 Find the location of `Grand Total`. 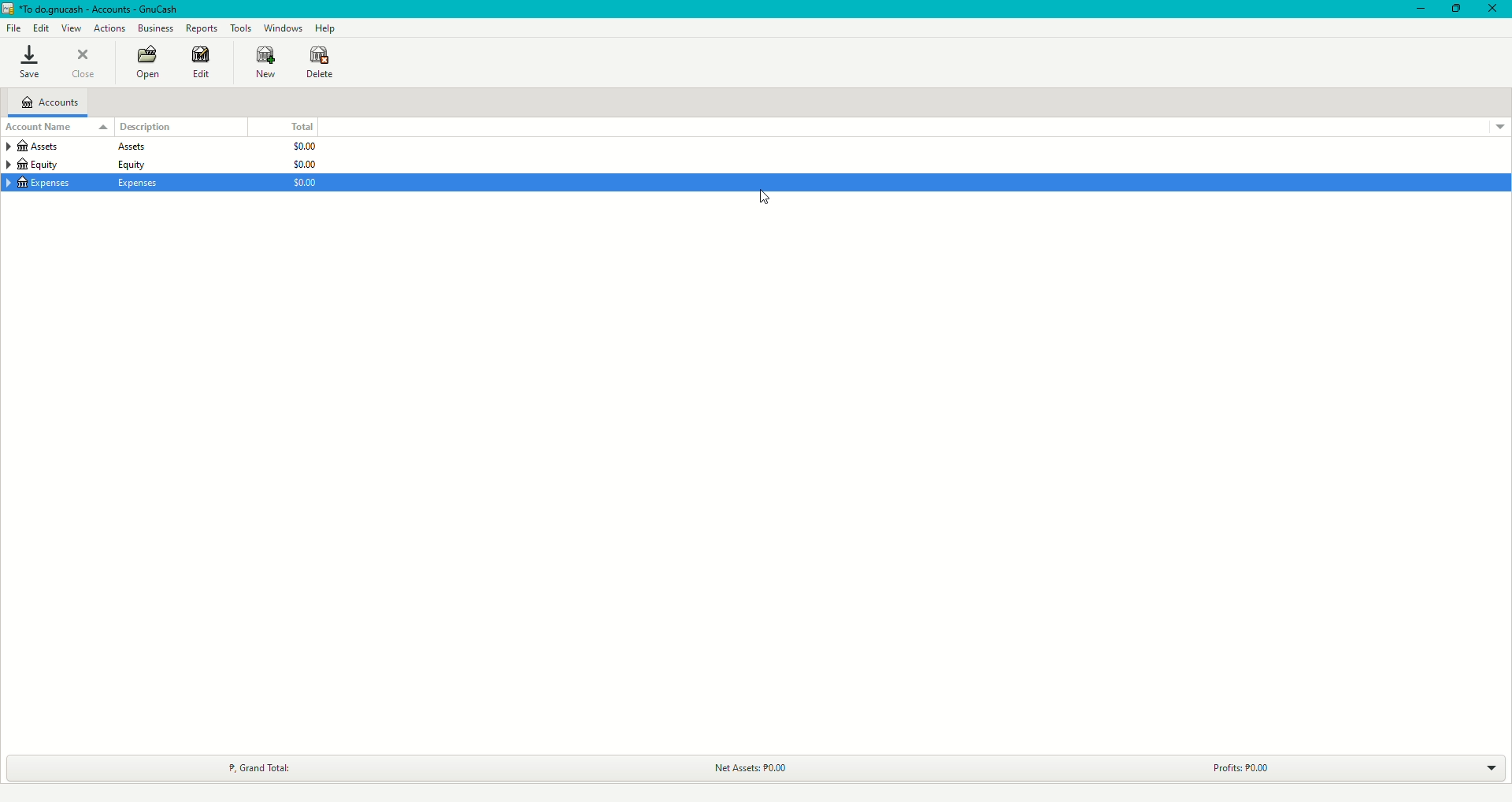

Grand Total is located at coordinates (260, 767).